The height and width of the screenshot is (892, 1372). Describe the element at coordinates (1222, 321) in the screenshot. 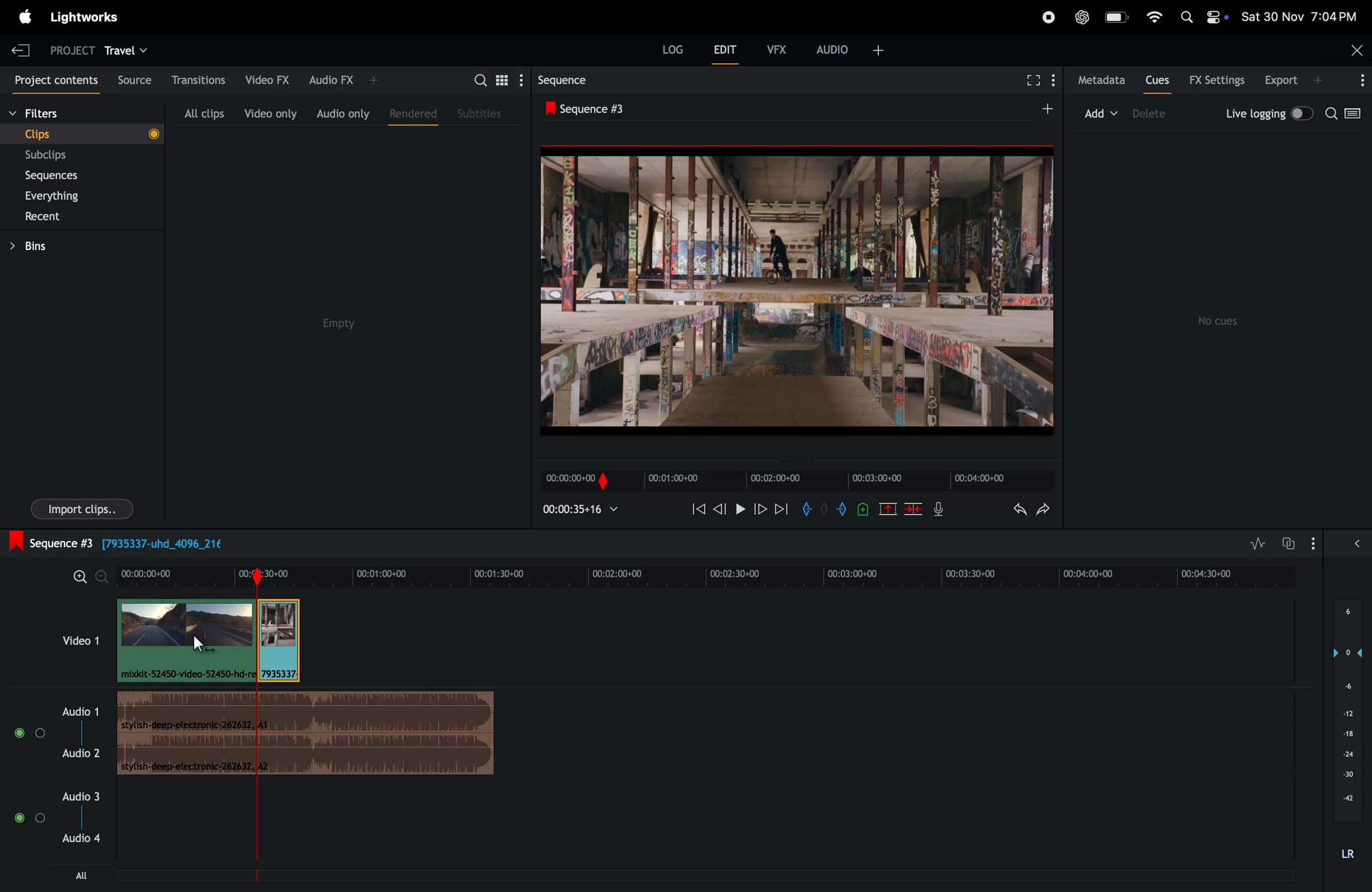

I see `no cues` at that location.